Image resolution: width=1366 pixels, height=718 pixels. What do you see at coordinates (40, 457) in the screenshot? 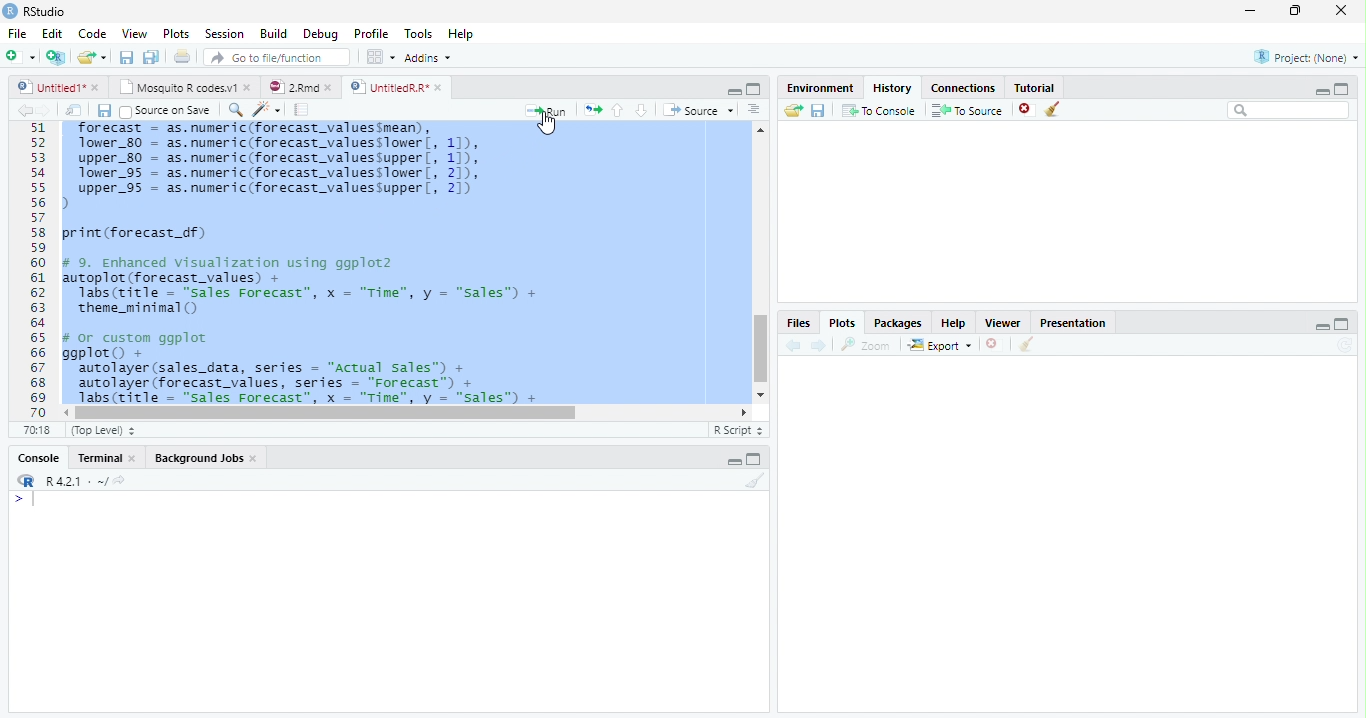
I see `Console` at bounding box center [40, 457].